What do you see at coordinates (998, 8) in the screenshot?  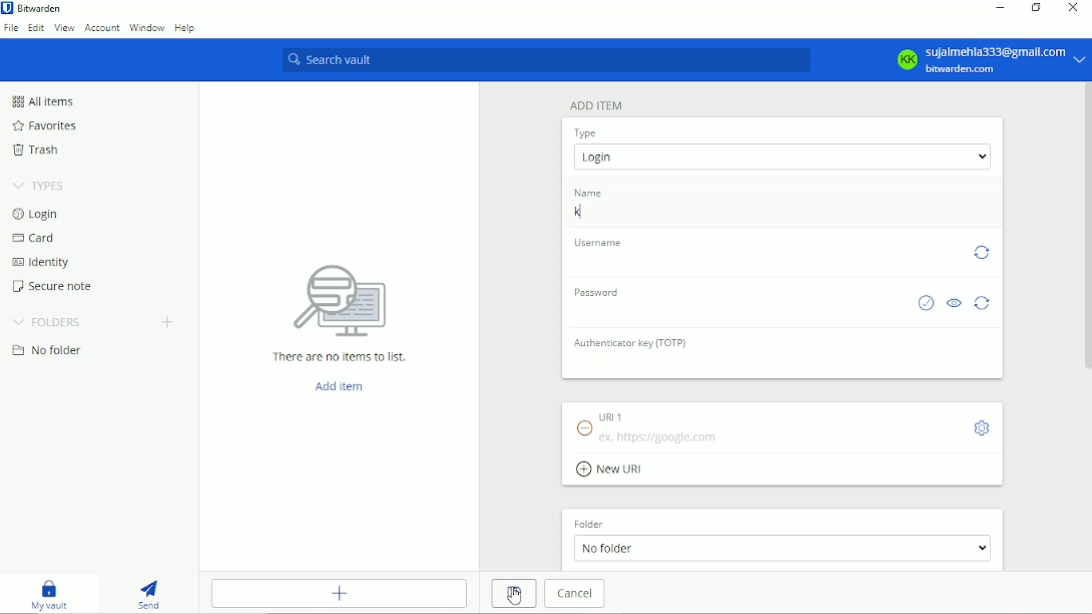 I see `Minimize` at bounding box center [998, 8].